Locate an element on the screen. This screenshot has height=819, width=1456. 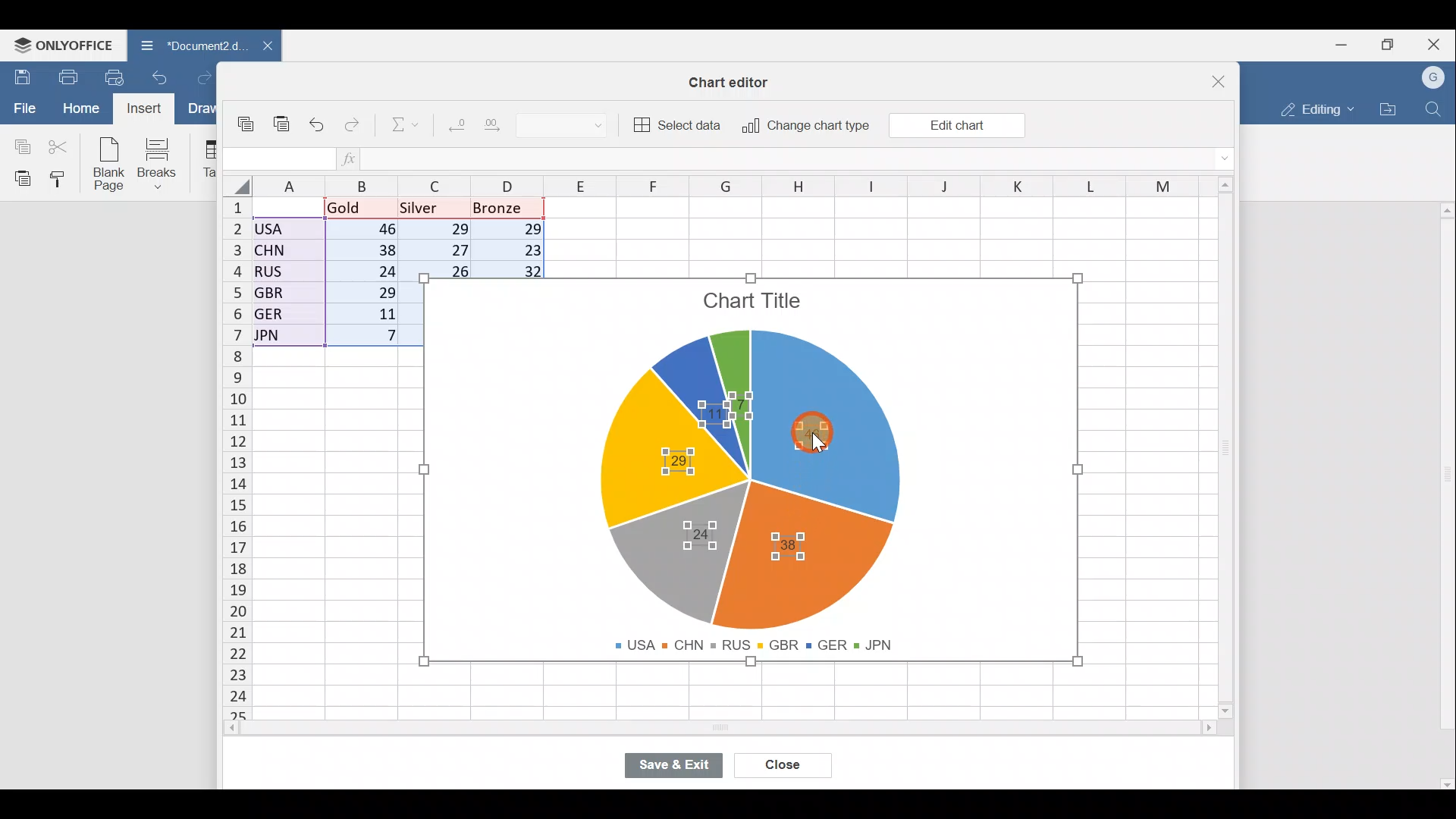
Breaks is located at coordinates (160, 165).